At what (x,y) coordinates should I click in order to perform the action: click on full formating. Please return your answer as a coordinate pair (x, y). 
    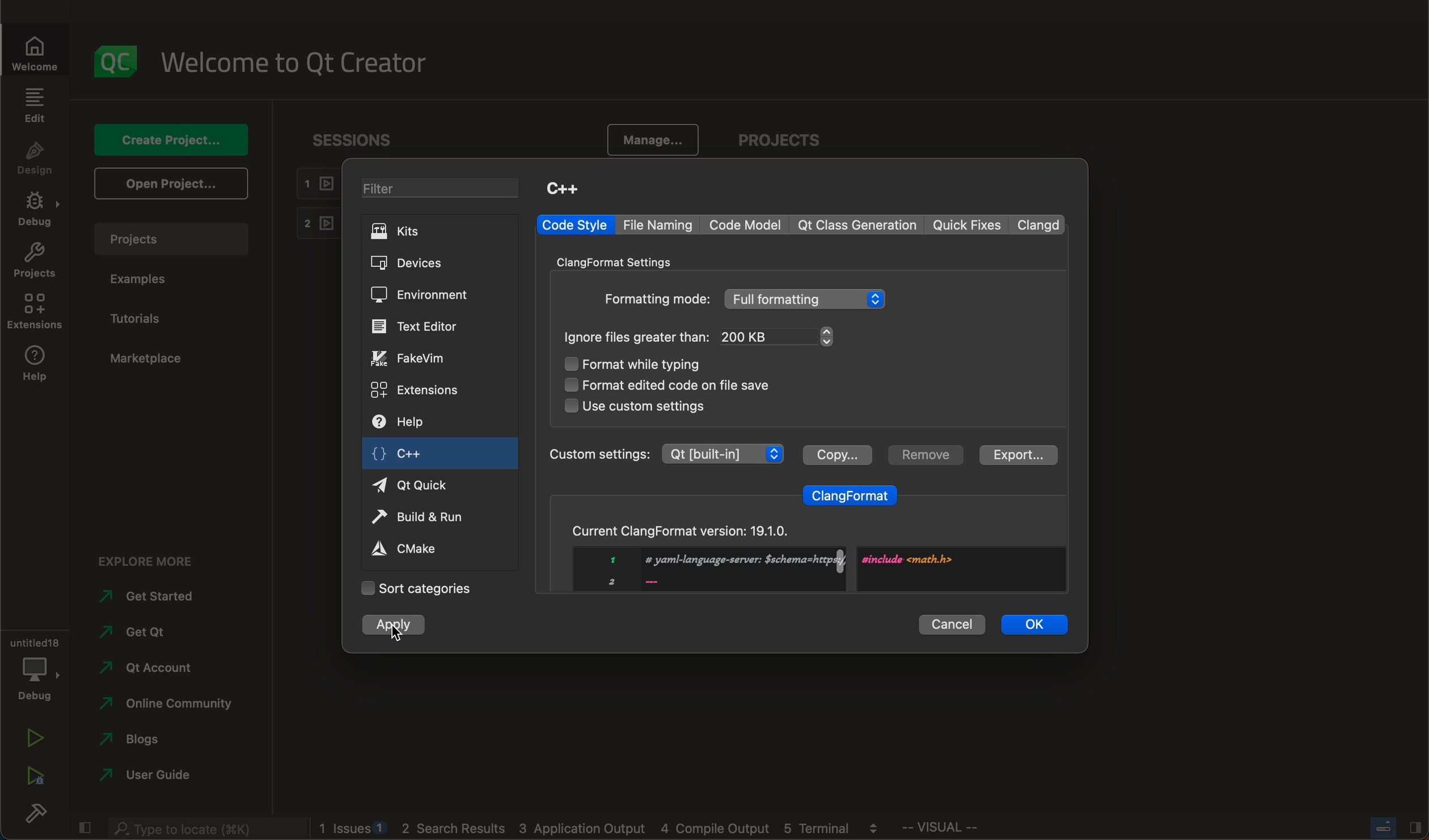
    Looking at the image, I should click on (807, 299).